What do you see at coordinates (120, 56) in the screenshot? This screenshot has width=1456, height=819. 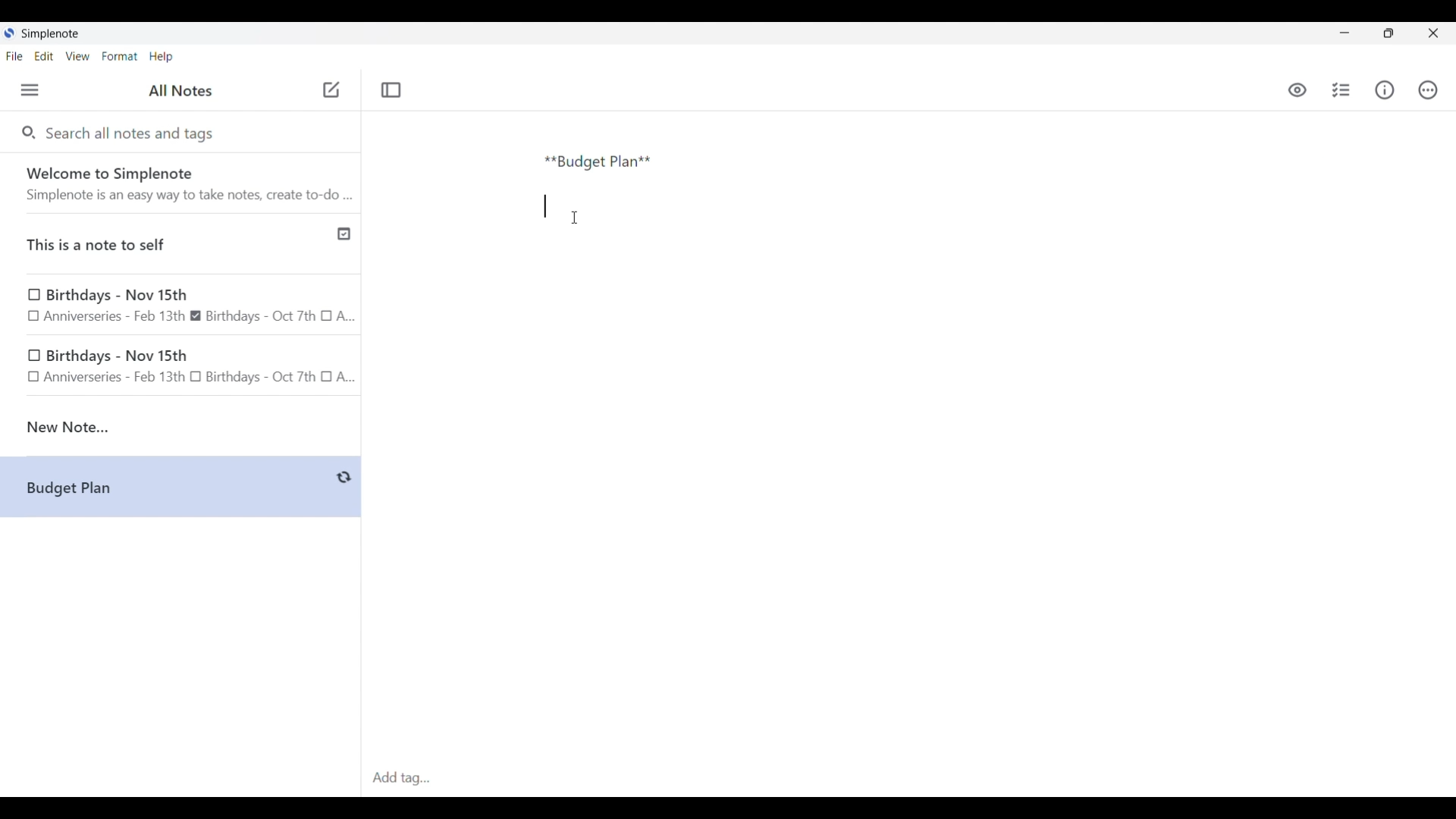 I see `Format menu` at bounding box center [120, 56].